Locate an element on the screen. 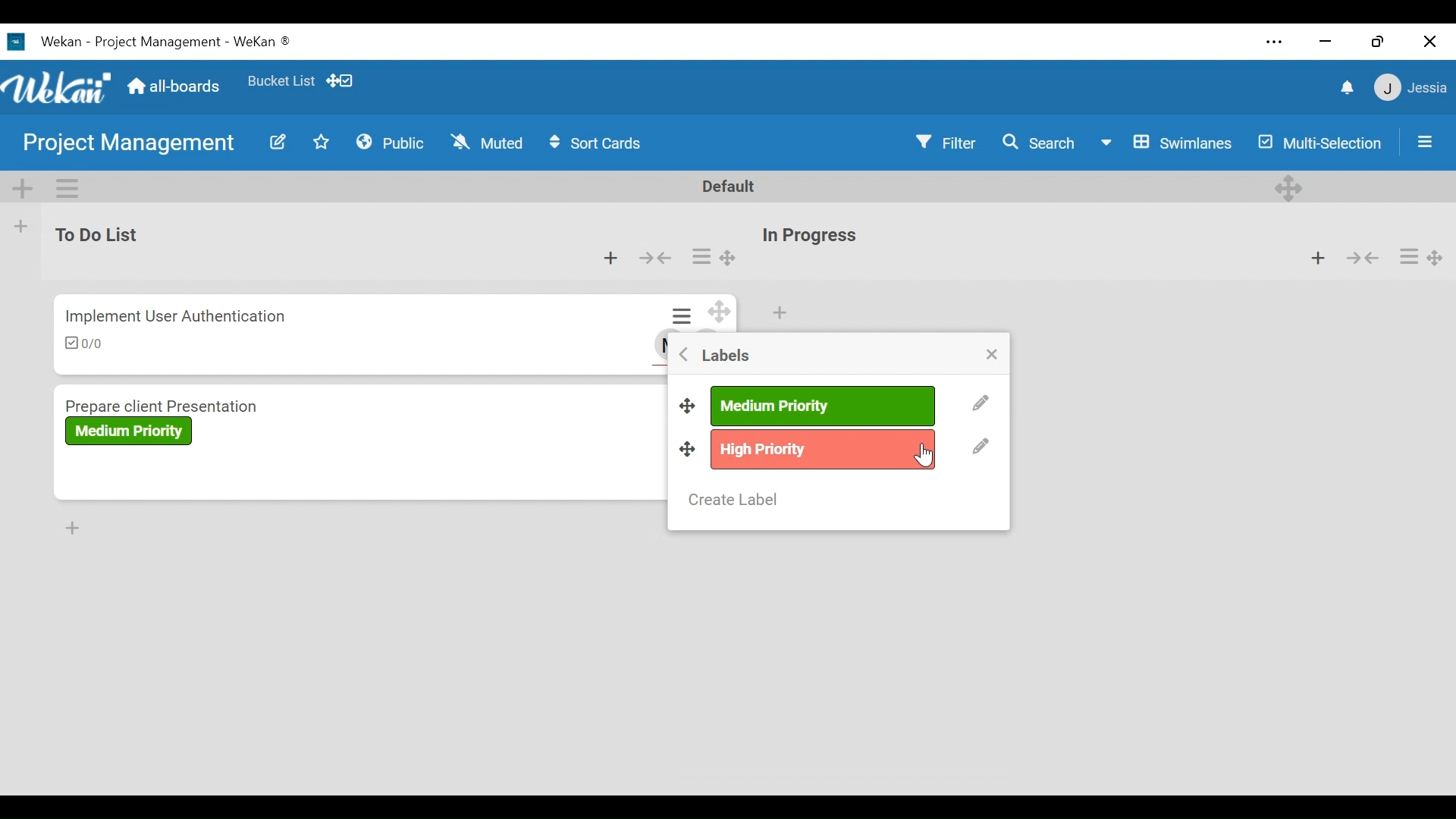 This screenshot has width=1456, height=819. Home (all-boards) is located at coordinates (172, 86).